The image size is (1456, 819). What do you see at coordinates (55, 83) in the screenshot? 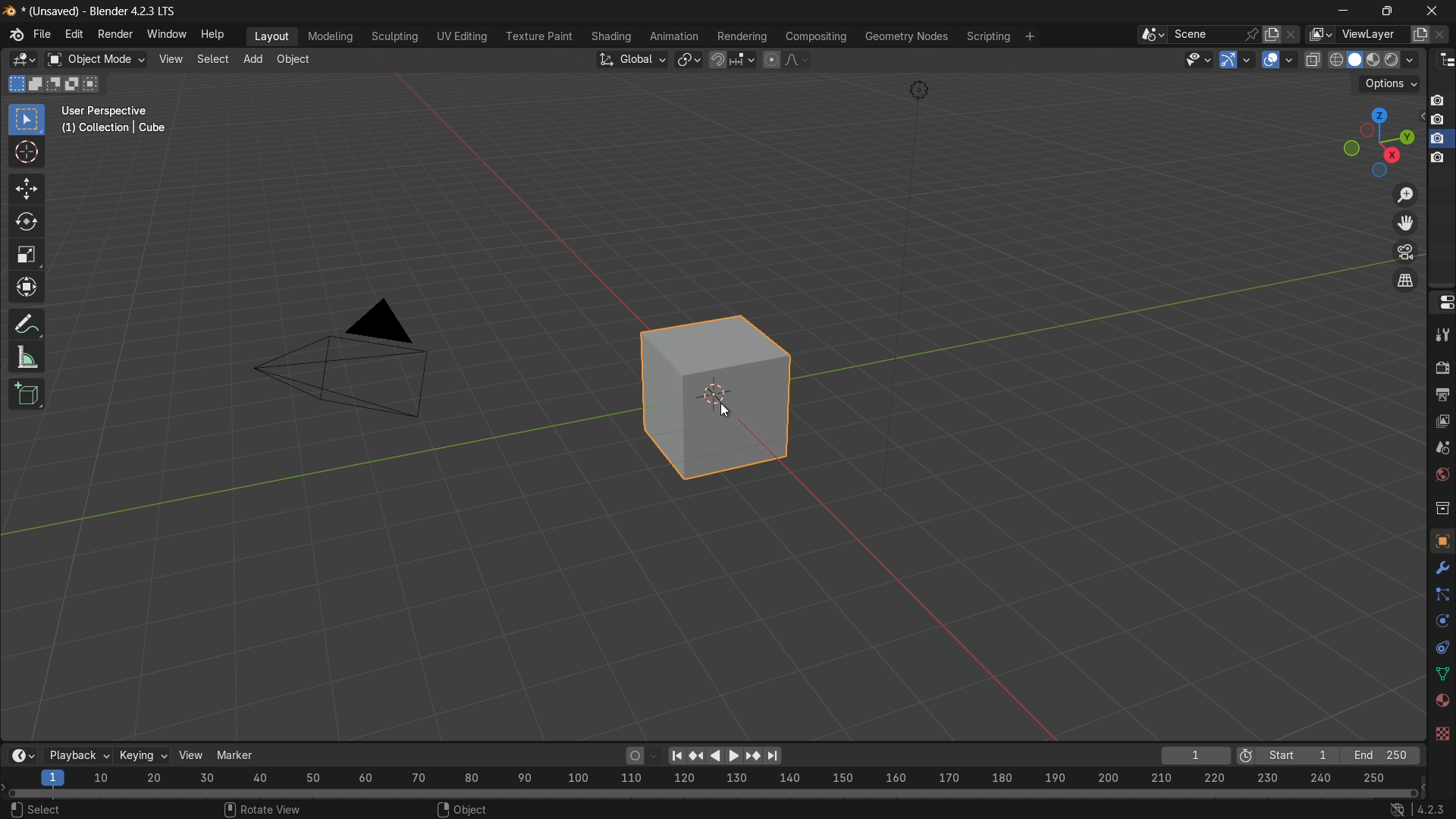
I see `subtract existing selection` at bounding box center [55, 83].